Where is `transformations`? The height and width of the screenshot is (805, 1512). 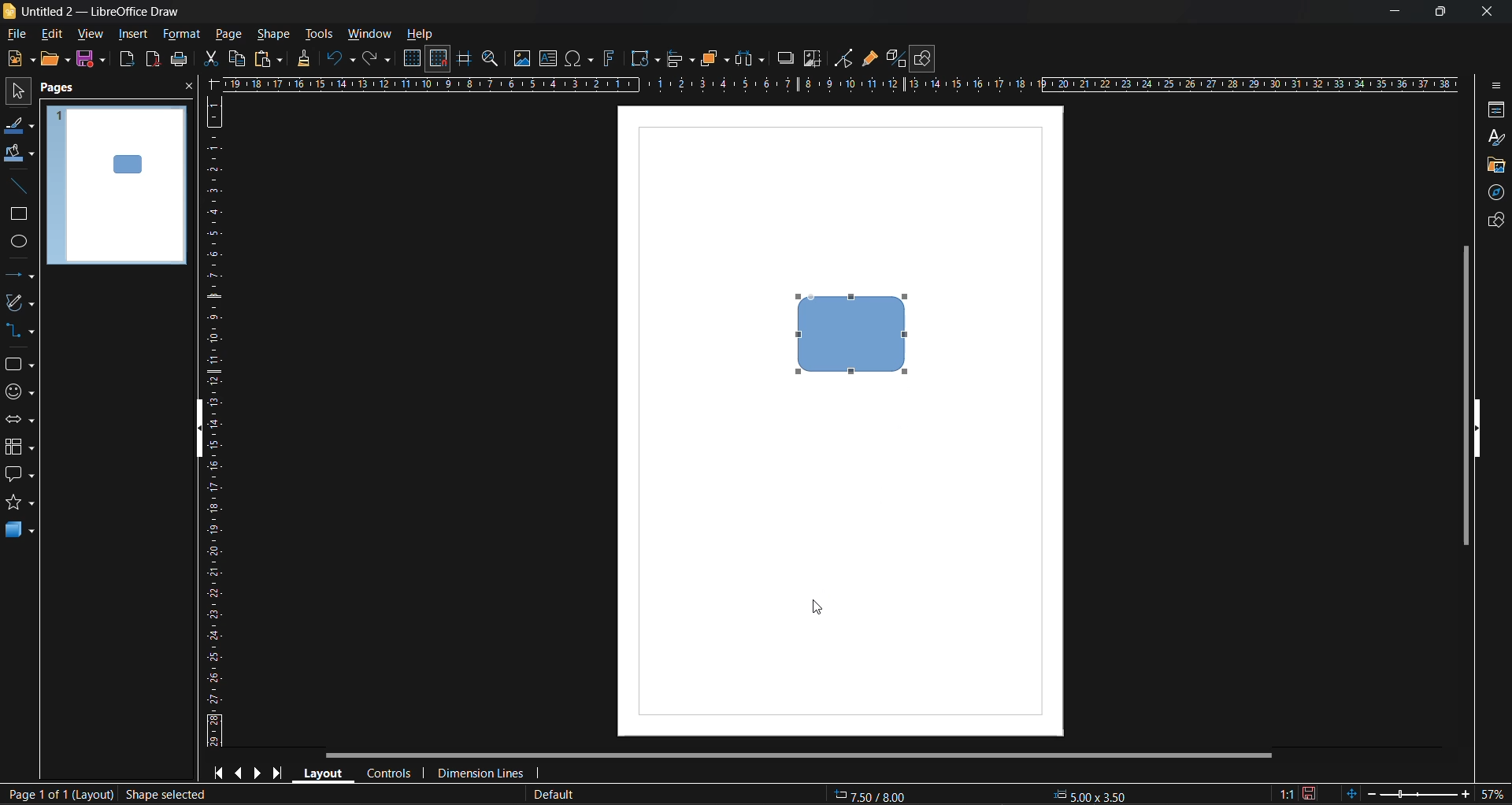
transformations is located at coordinates (645, 59).